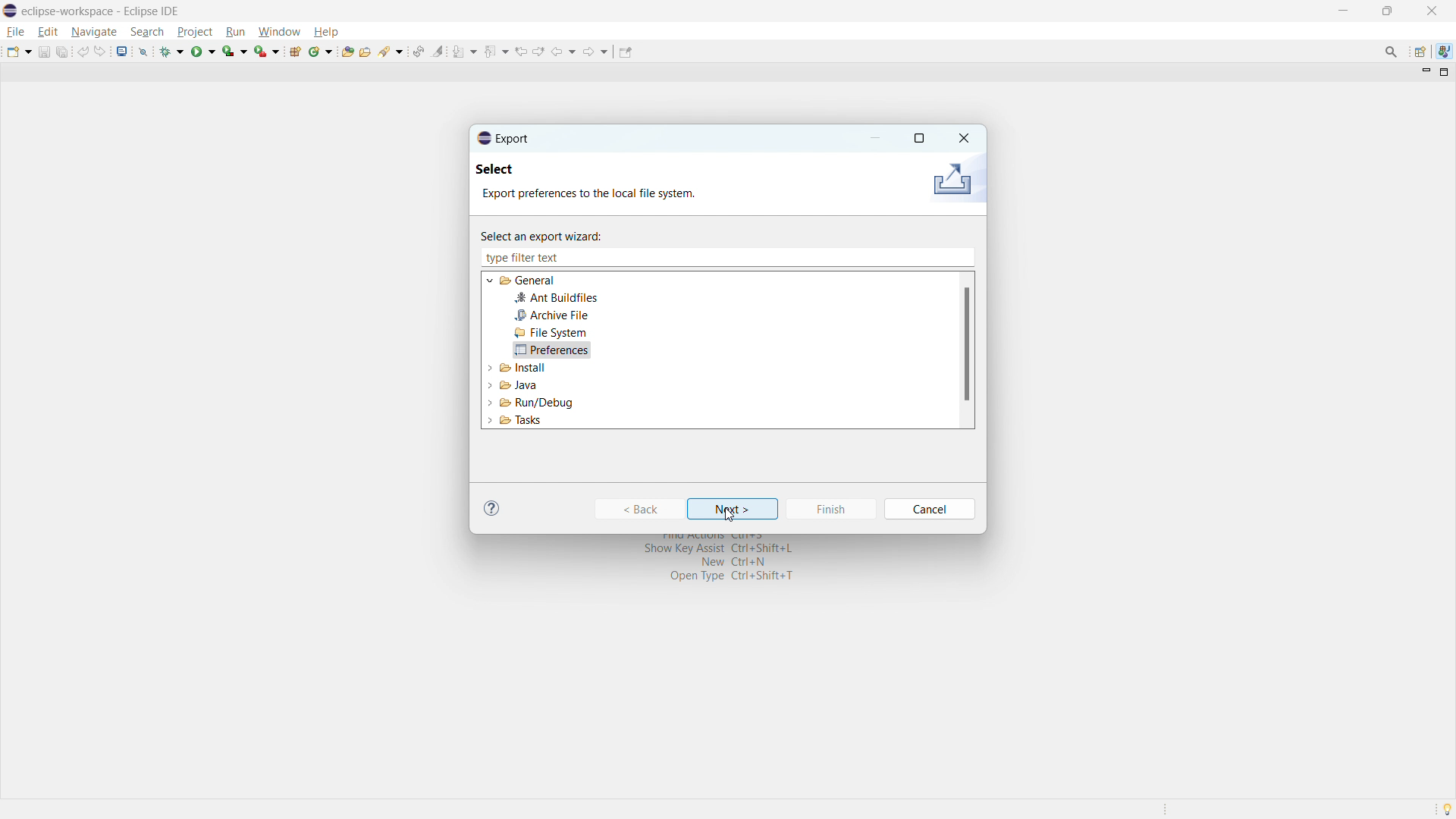 This screenshot has height=819, width=1456. I want to click on view next location, so click(539, 51).